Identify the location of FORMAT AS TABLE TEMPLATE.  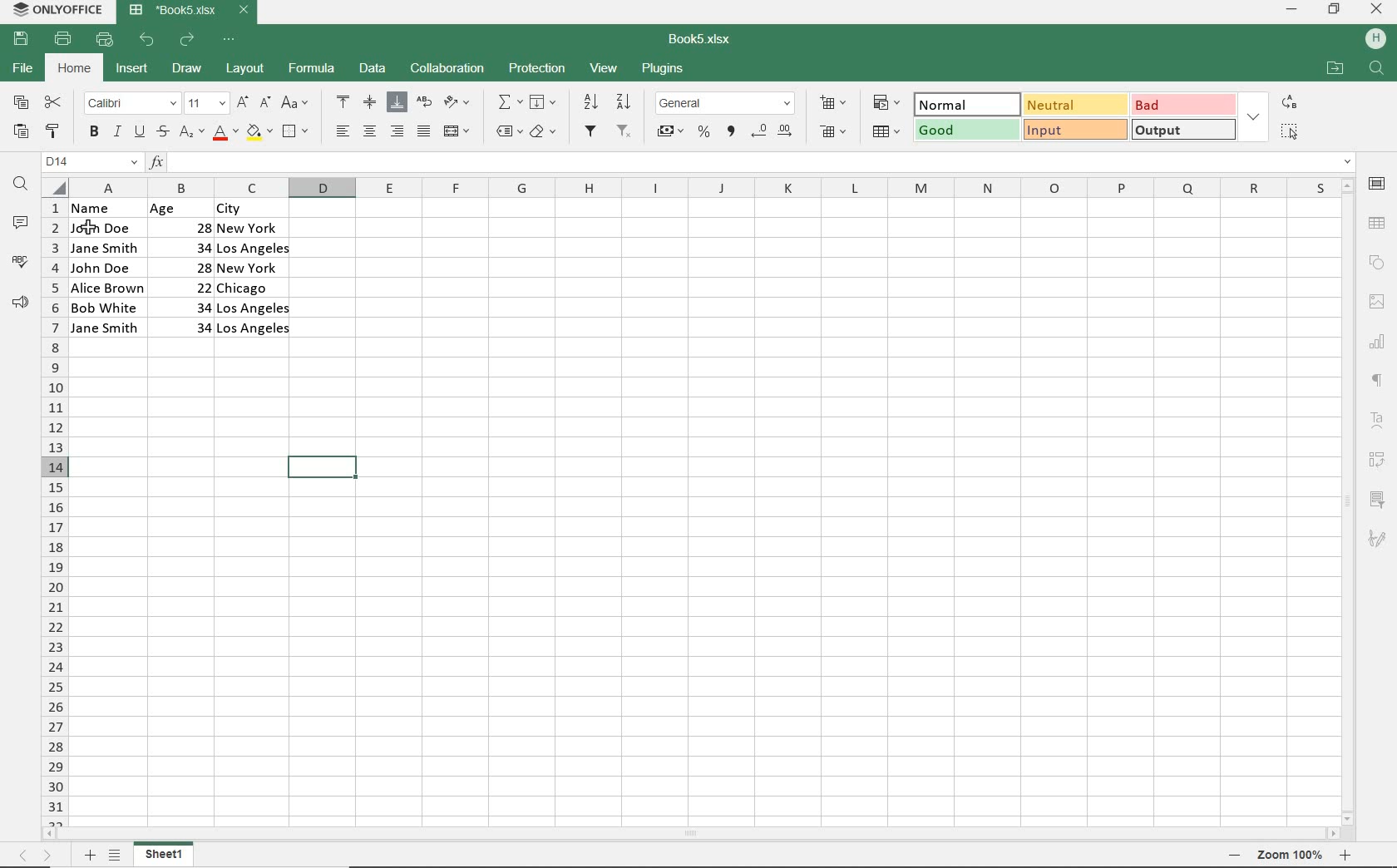
(887, 131).